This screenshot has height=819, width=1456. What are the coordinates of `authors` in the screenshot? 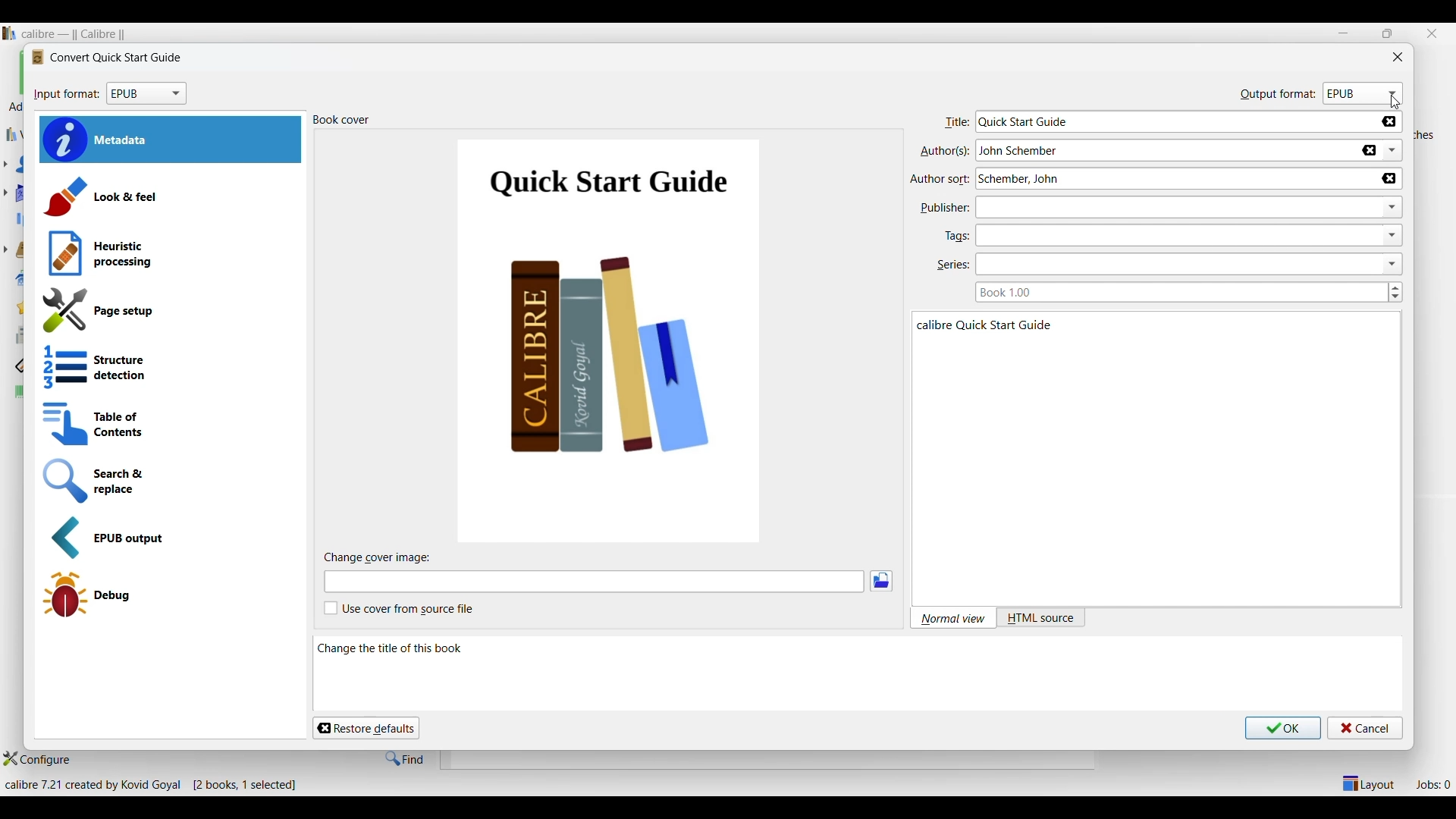 It's located at (943, 152).